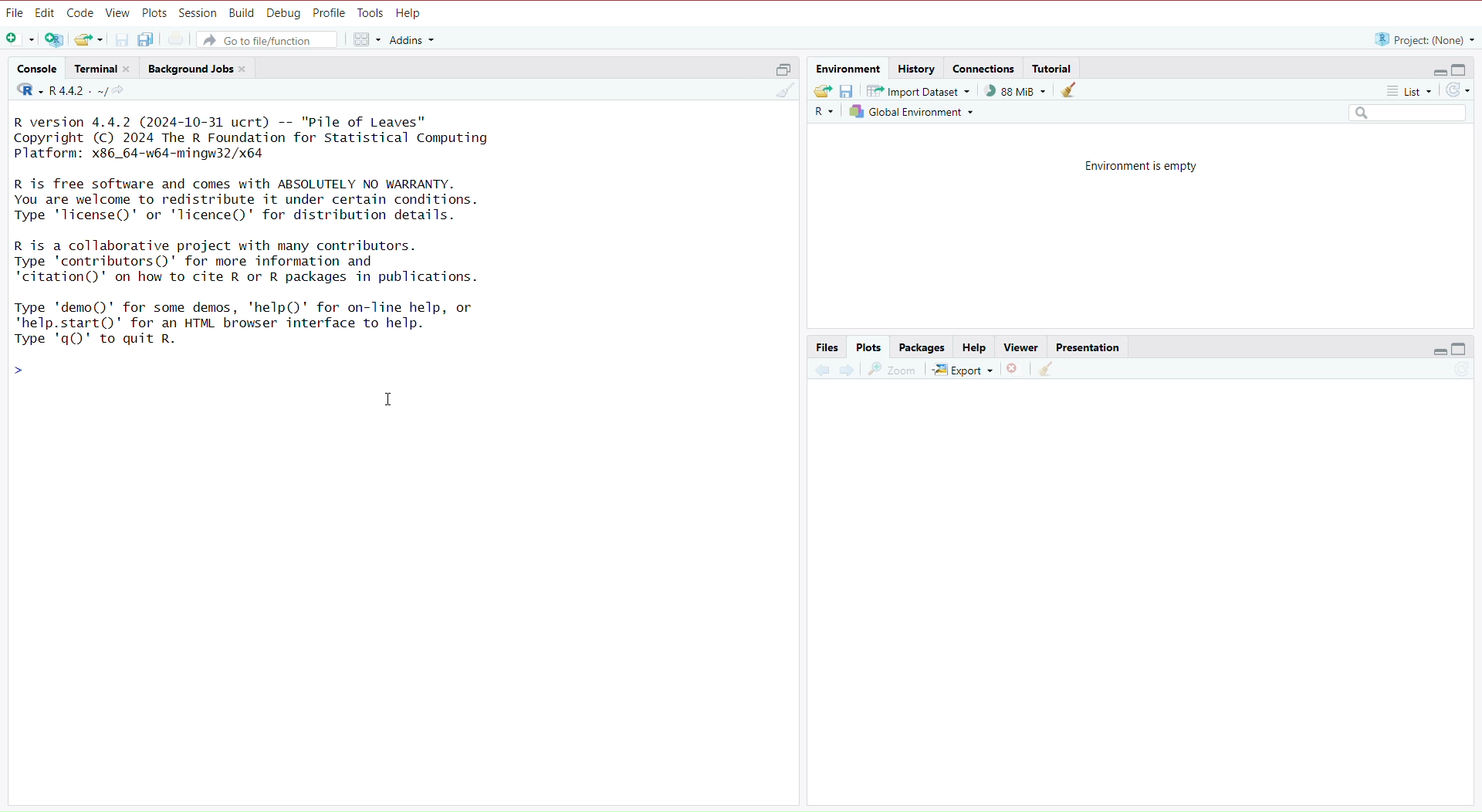 The height and width of the screenshot is (812, 1482). I want to click on view the current working directory, so click(123, 92).